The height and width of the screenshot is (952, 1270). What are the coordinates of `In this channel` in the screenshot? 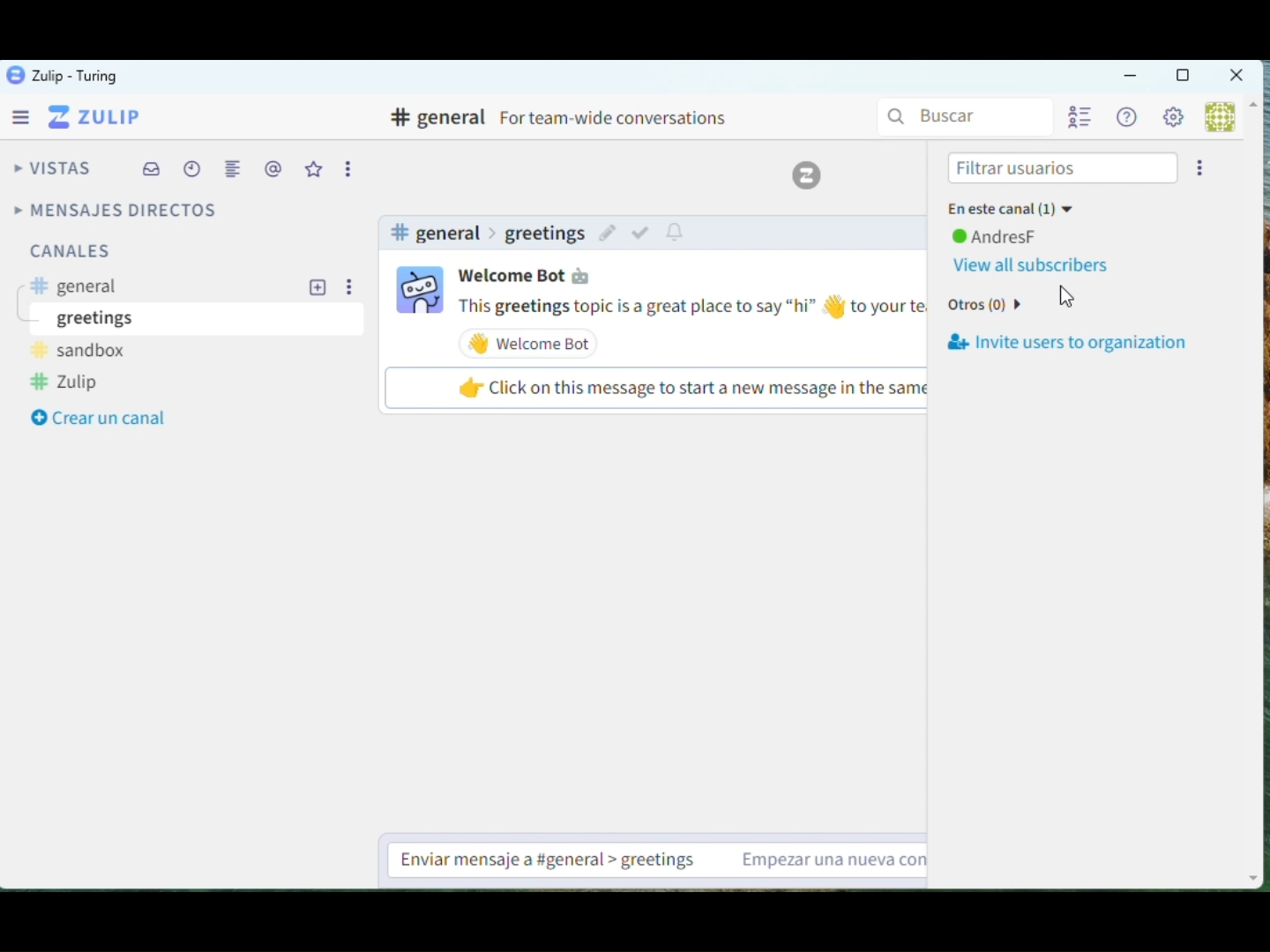 It's located at (1024, 210).